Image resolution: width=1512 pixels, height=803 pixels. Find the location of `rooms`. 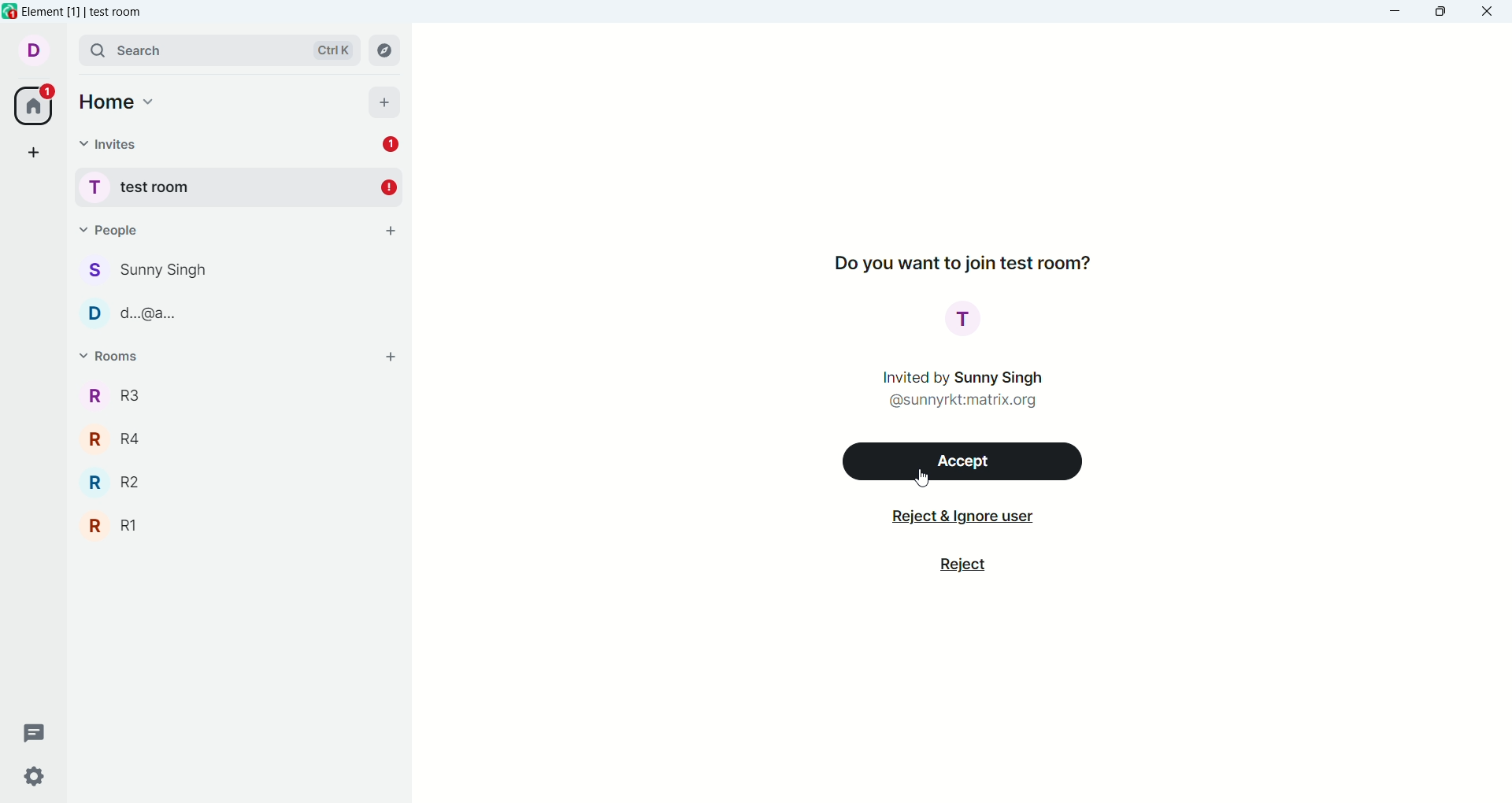

rooms is located at coordinates (108, 356).